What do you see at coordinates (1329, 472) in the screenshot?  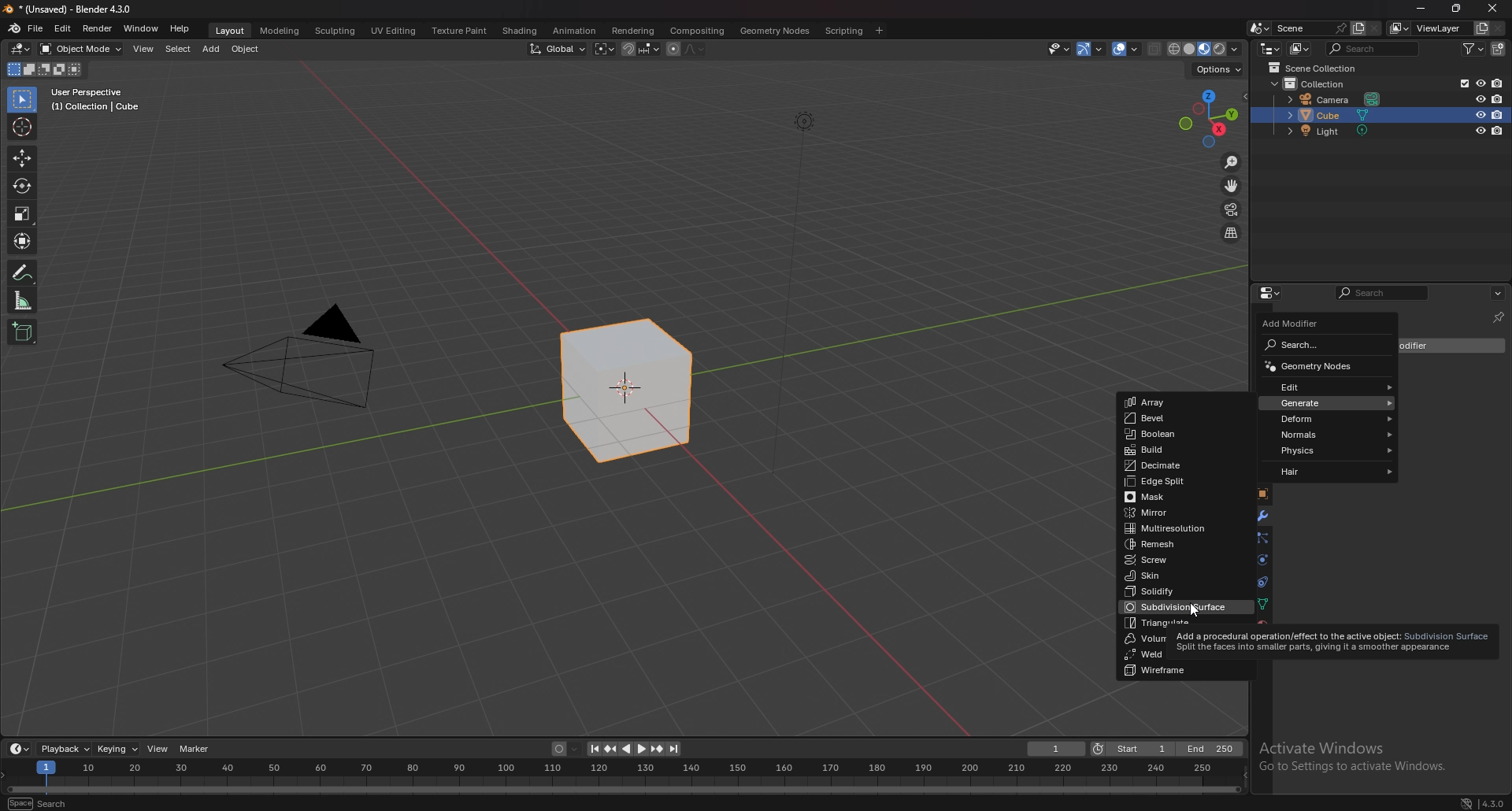 I see `hair` at bounding box center [1329, 472].